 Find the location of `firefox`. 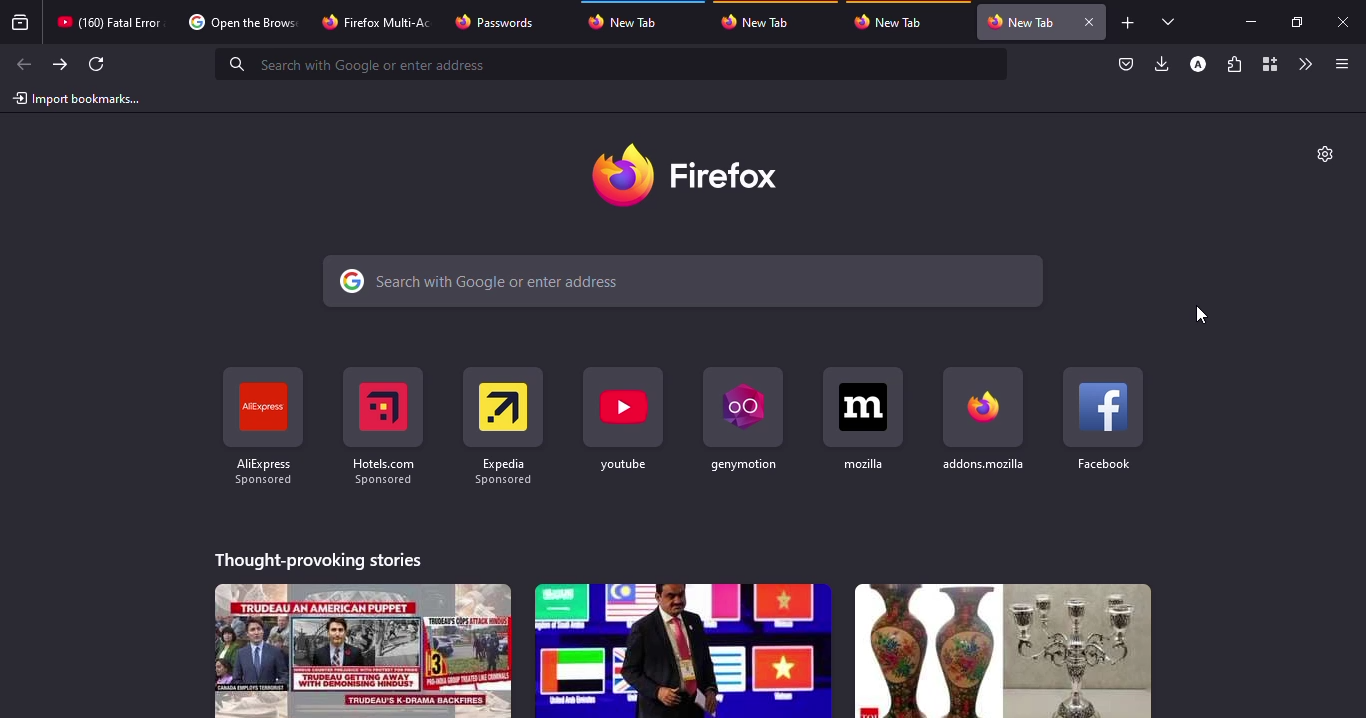

firefox is located at coordinates (690, 171).